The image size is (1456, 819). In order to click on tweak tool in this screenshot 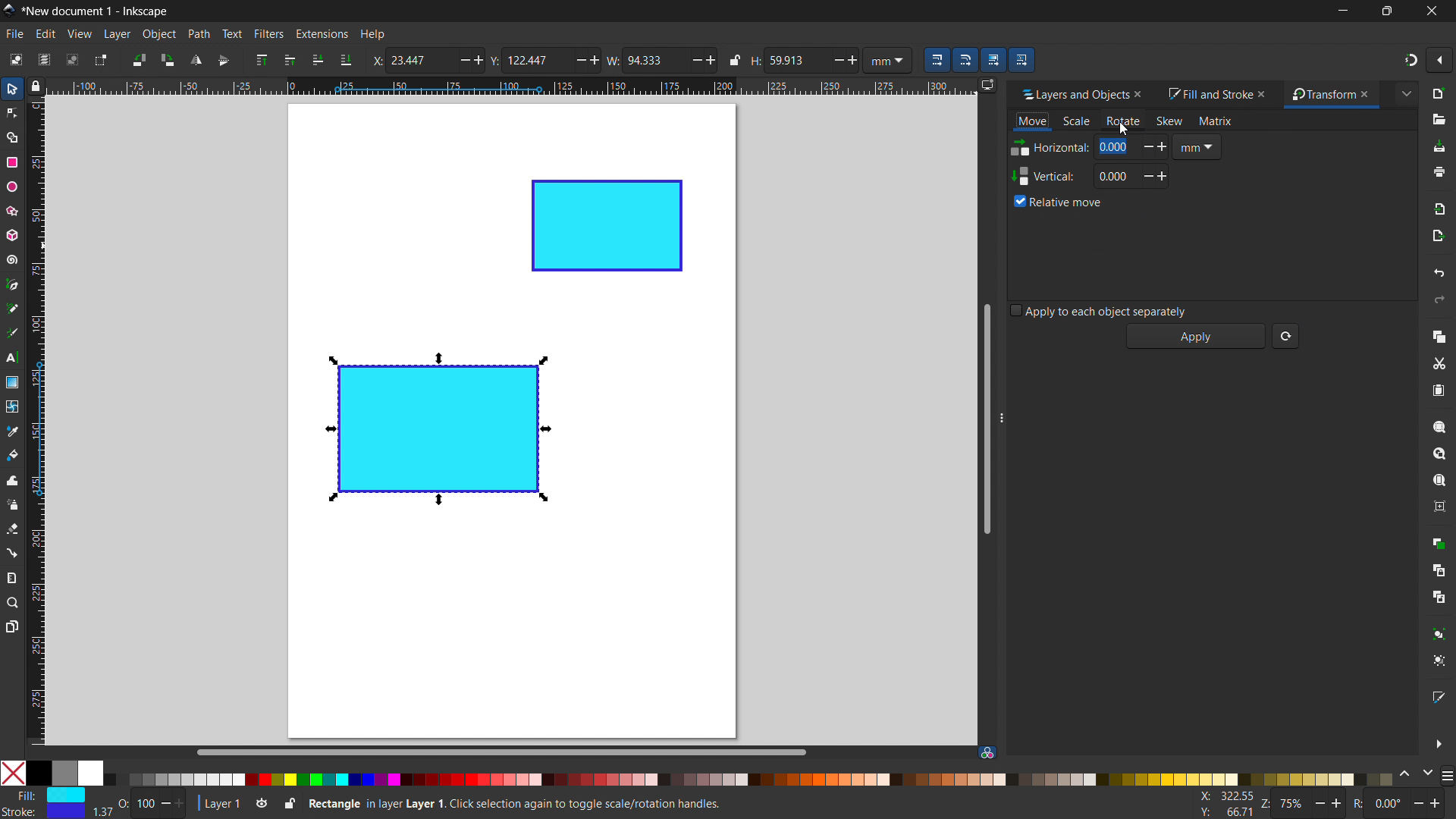, I will do `click(12, 480)`.